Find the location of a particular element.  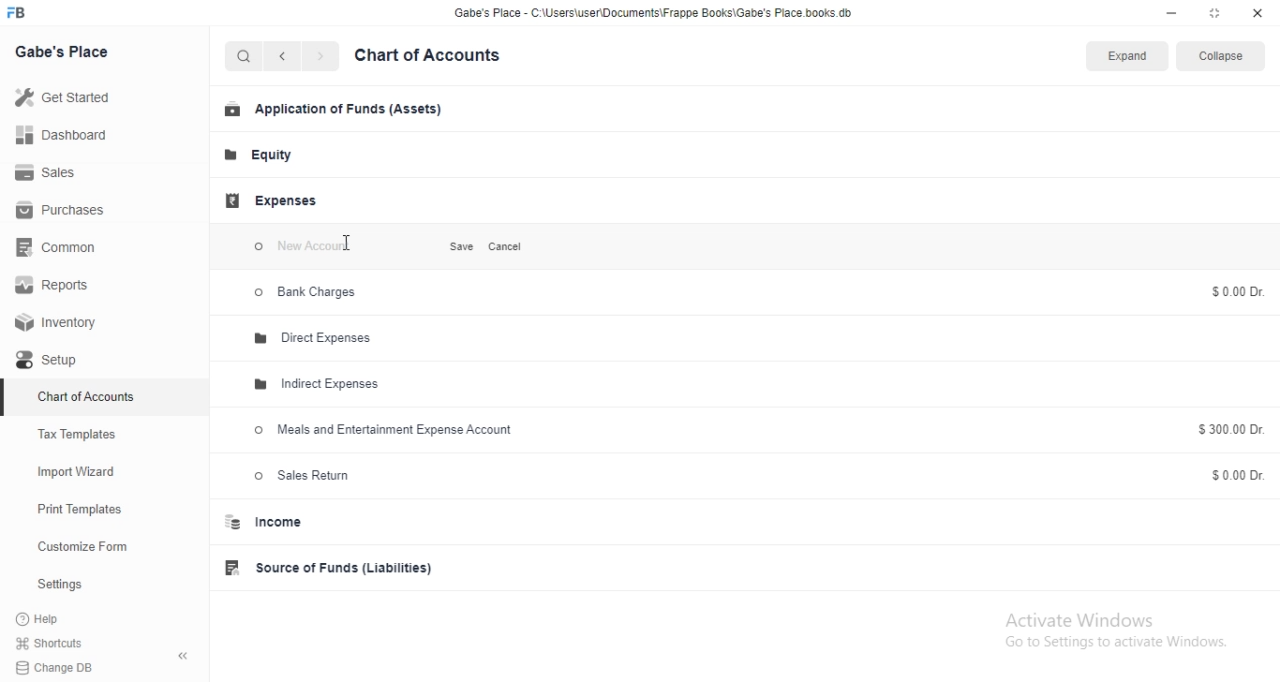

Collapse. is located at coordinates (1225, 57).